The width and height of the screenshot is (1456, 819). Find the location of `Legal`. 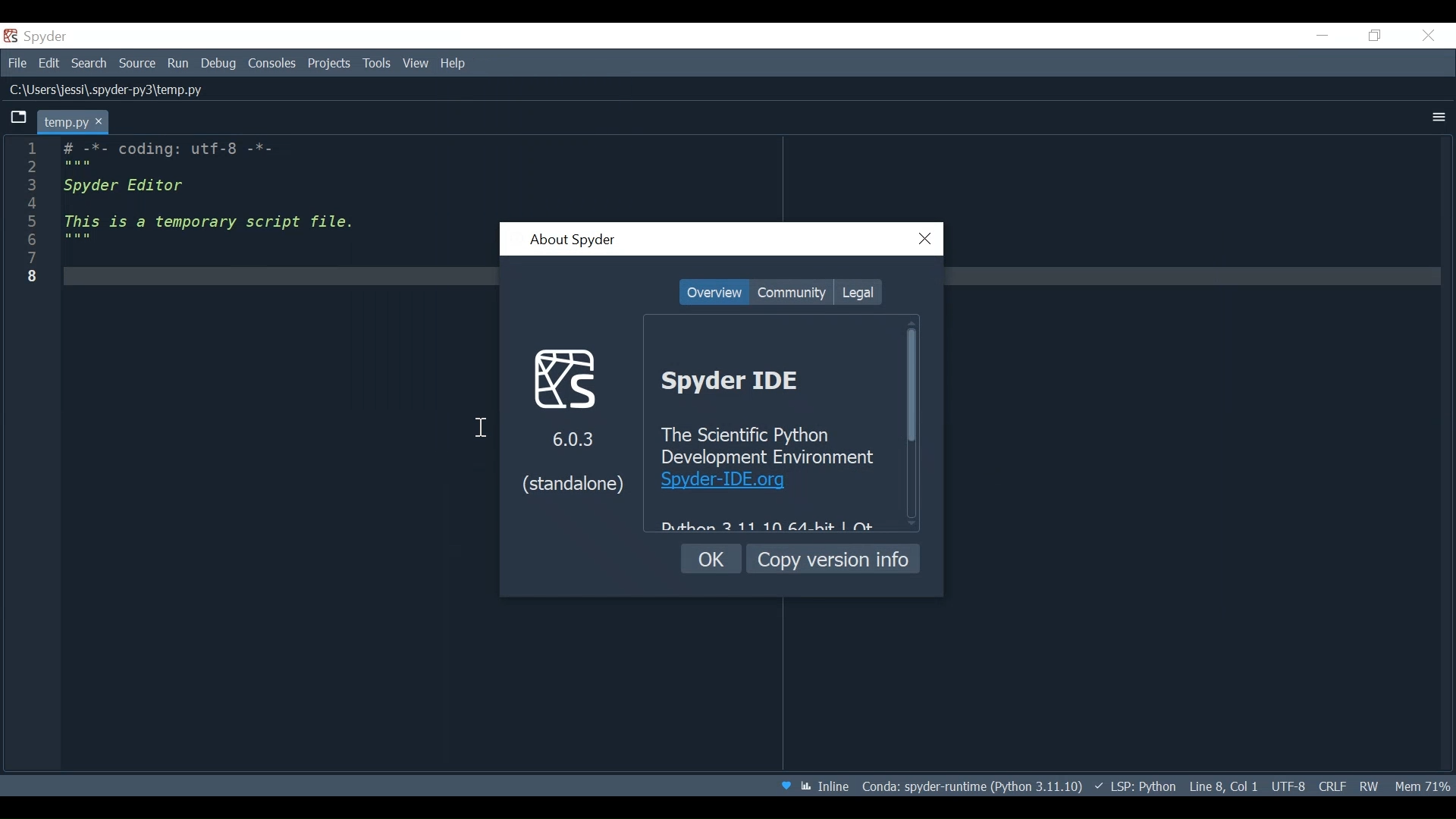

Legal is located at coordinates (861, 292).